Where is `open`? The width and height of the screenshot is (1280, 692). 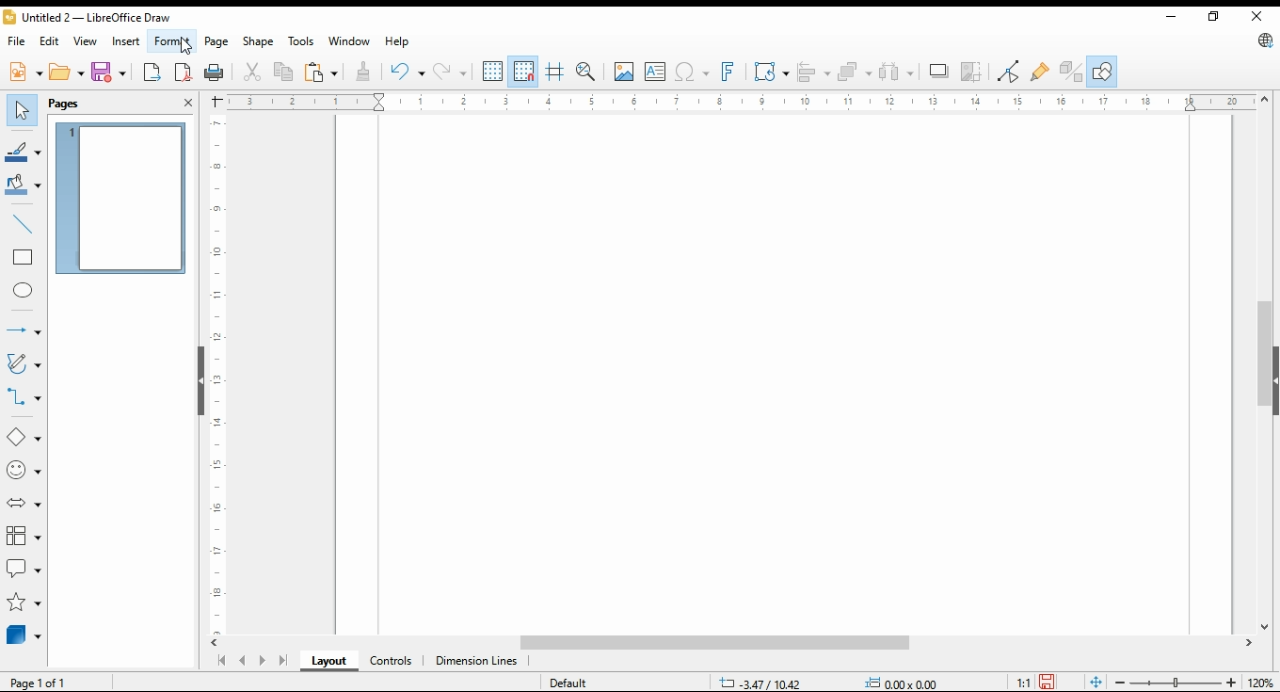 open is located at coordinates (67, 70).